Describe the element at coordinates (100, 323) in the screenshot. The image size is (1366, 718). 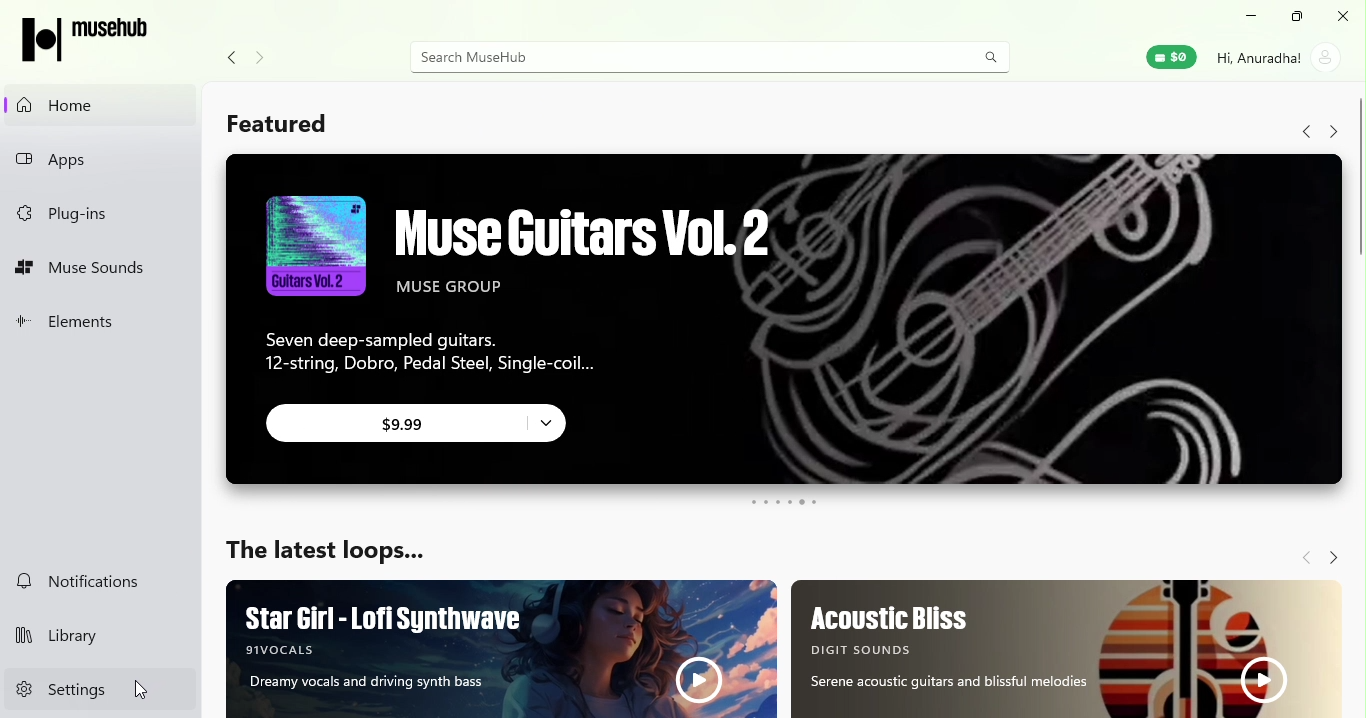
I see `Elements` at that location.